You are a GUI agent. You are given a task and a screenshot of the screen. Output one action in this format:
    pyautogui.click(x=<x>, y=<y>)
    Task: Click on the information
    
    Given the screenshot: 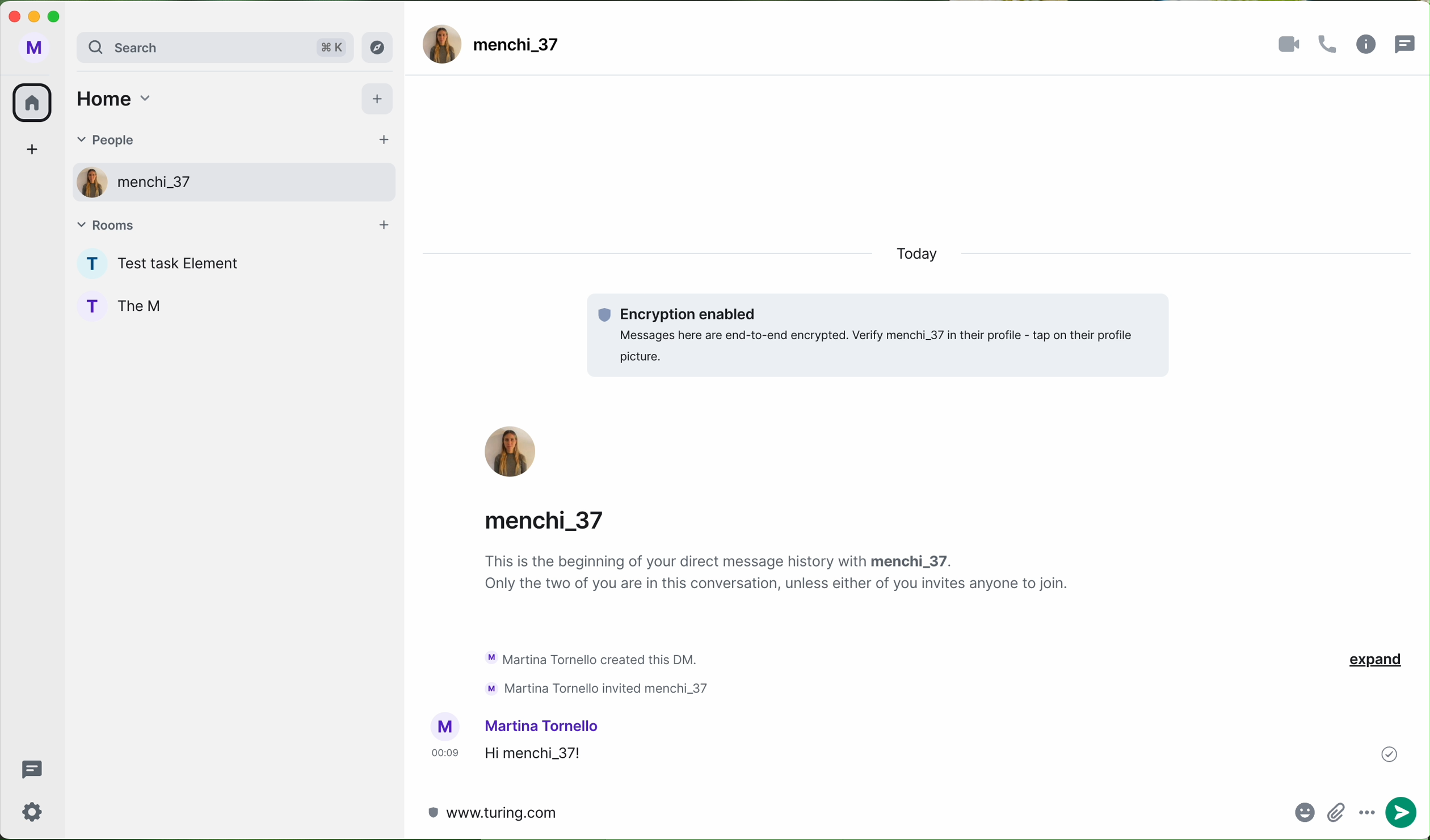 What is the action you would take?
    pyautogui.click(x=1366, y=45)
    